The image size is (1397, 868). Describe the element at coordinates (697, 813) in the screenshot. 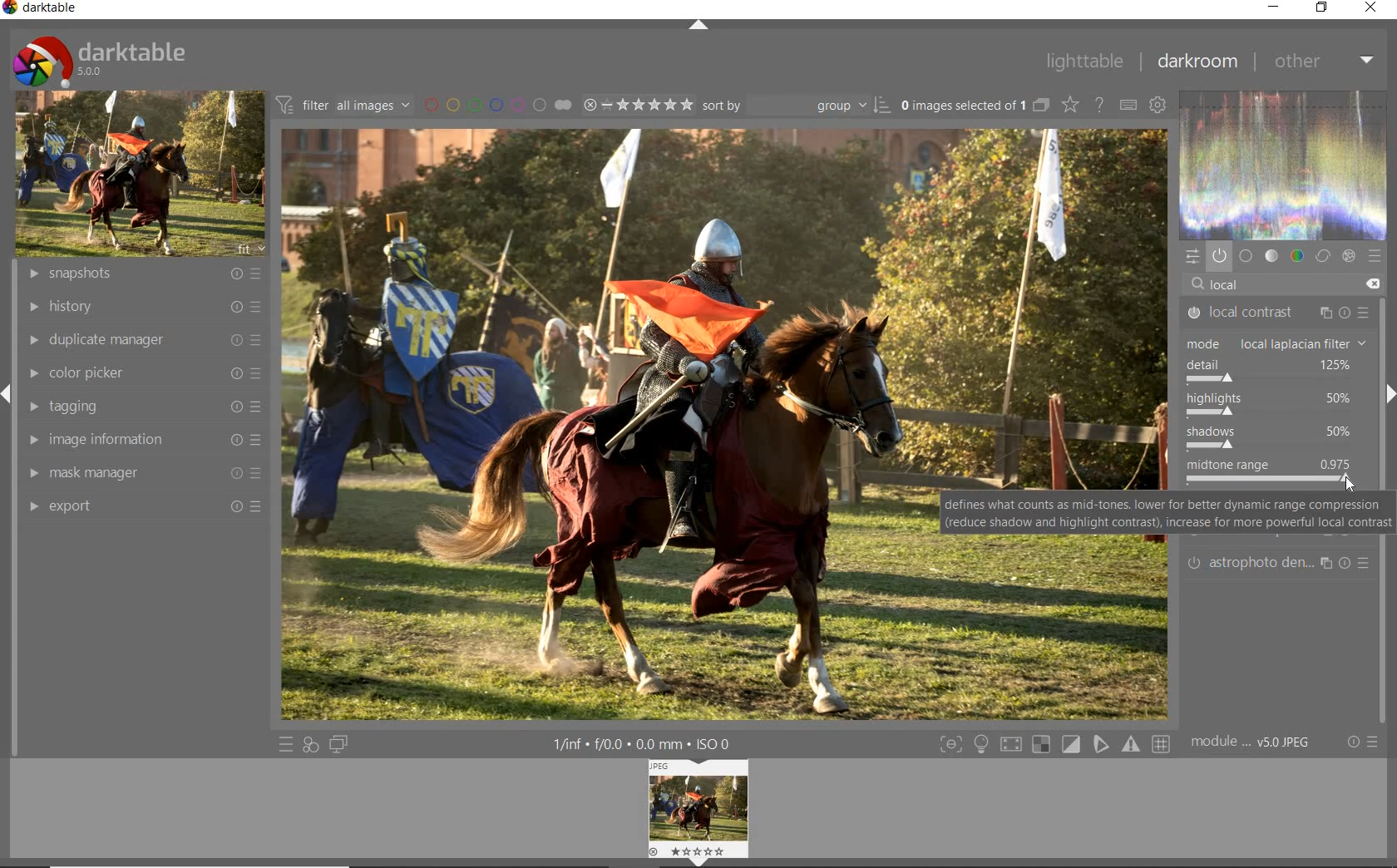

I see `IMAGE` at that location.